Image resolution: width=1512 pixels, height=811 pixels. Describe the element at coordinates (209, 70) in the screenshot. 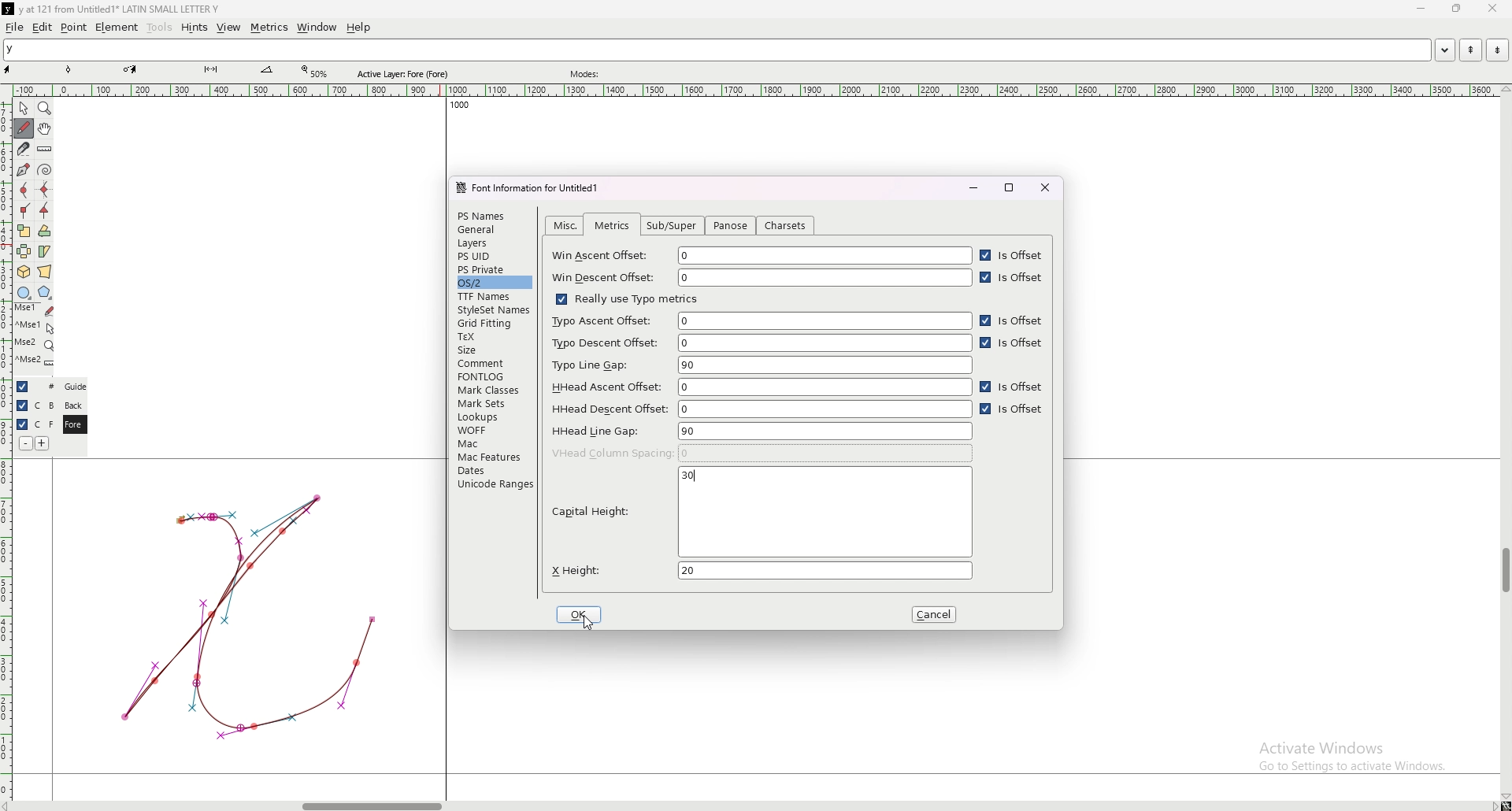

I see `knife tool` at that location.